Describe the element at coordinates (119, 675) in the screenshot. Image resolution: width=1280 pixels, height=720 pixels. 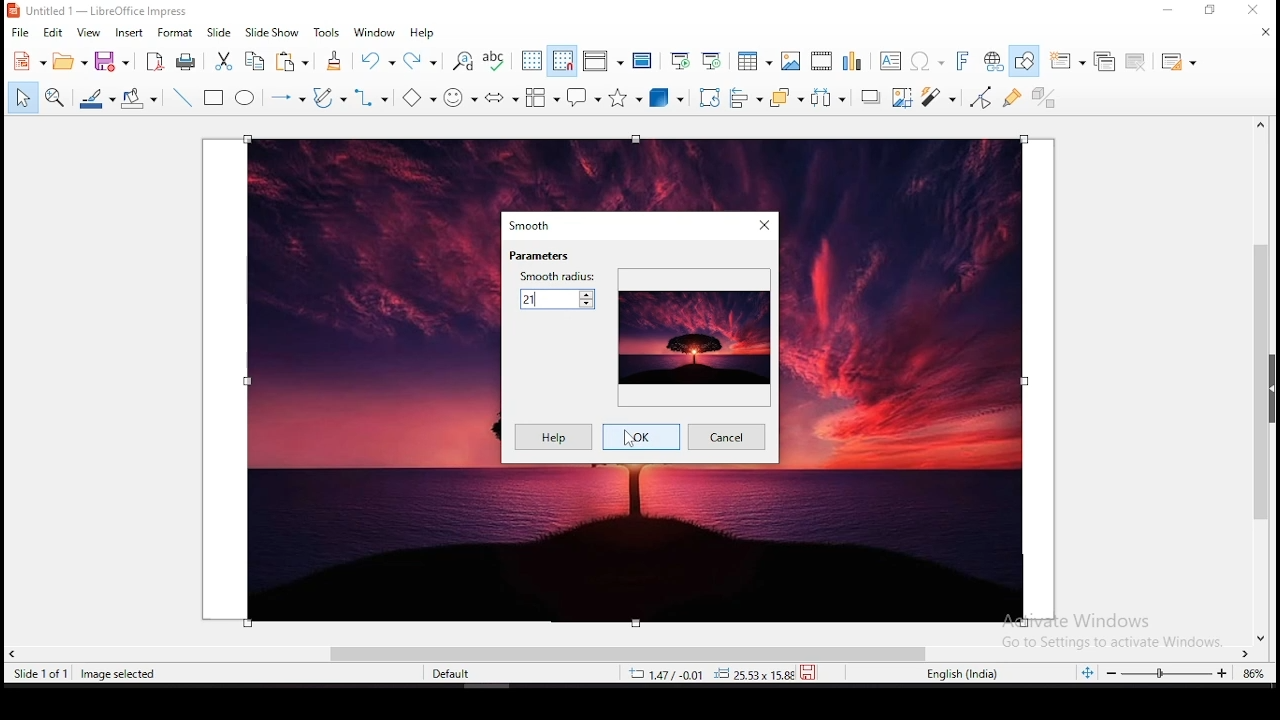
I see `image seleted` at that location.